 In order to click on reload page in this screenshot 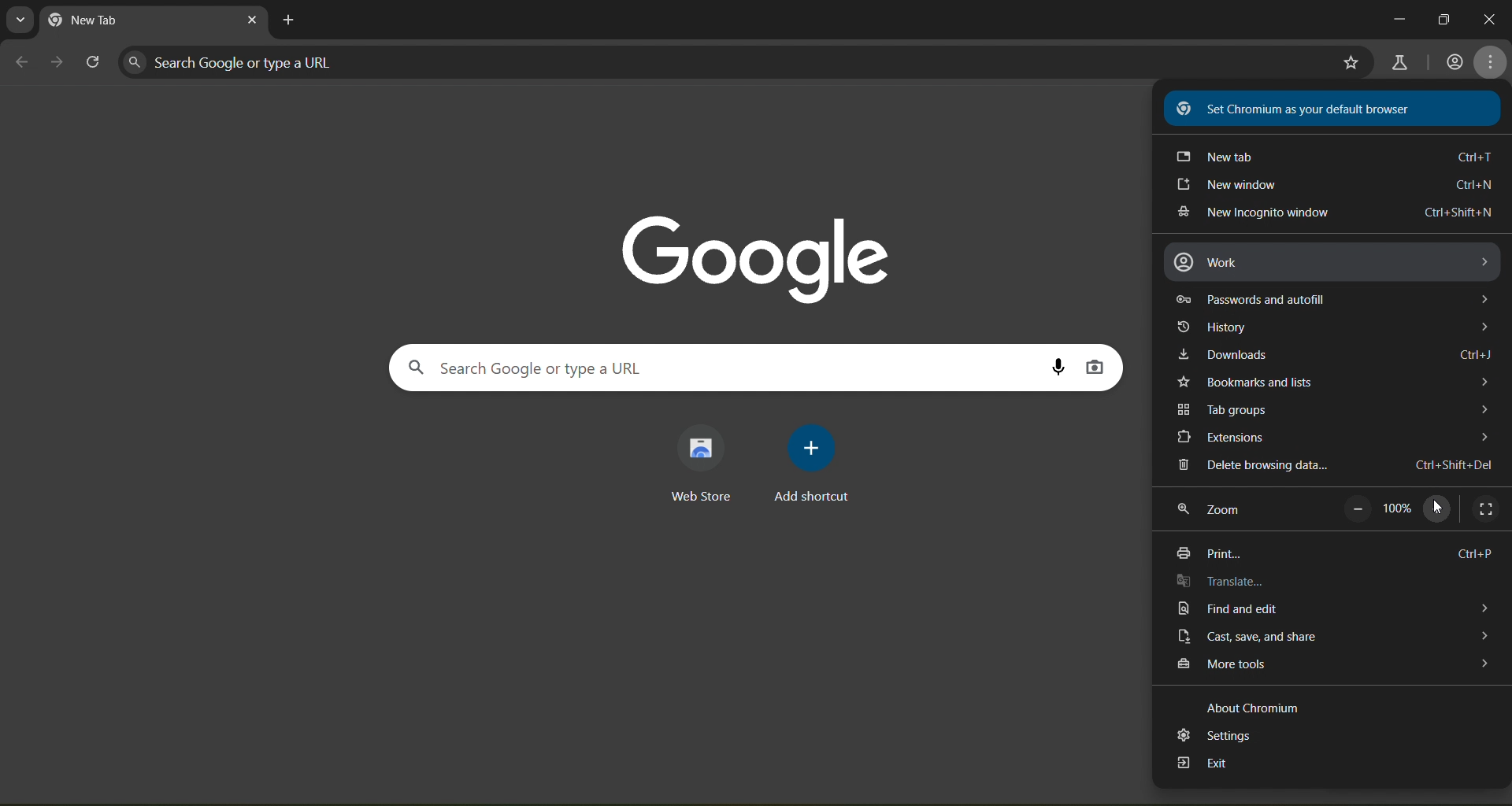, I will do `click(94, 63)`.